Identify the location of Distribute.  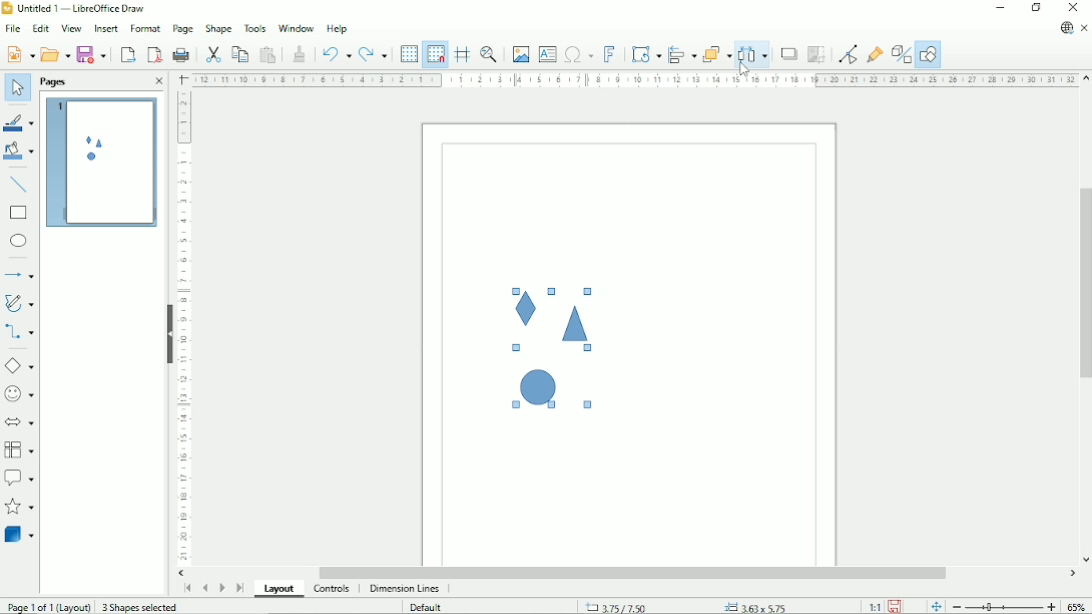
(753, 54).